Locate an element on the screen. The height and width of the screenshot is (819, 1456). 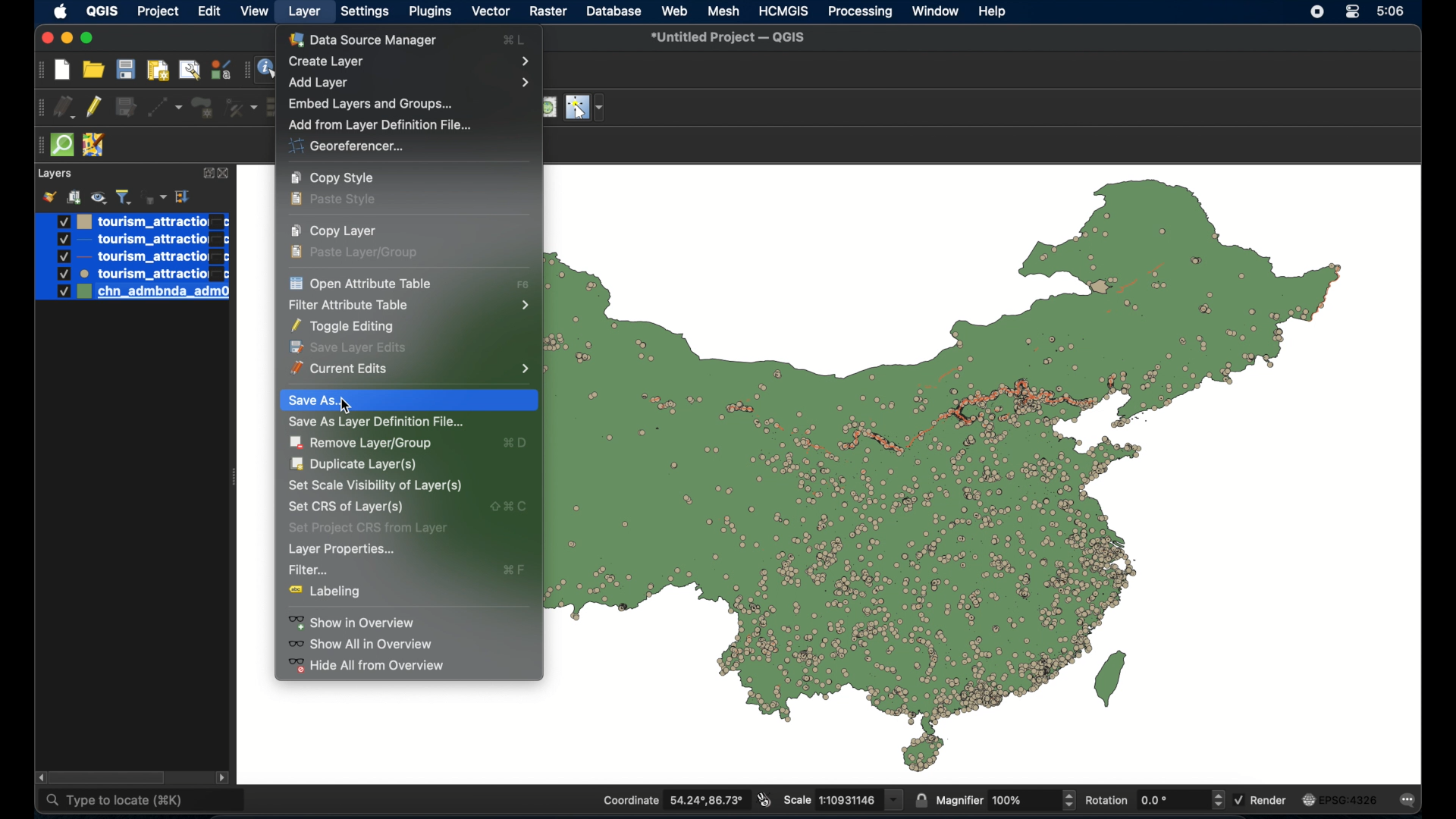
open layout manager is located at coordinates (190, 70).